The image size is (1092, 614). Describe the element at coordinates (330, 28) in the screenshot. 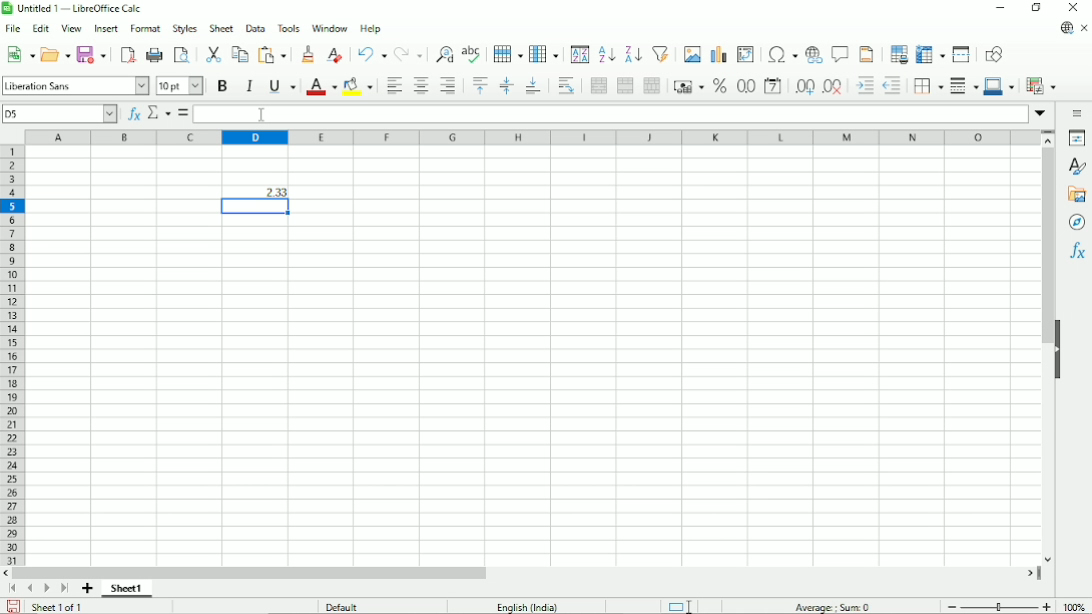

I see `Window` at that location.